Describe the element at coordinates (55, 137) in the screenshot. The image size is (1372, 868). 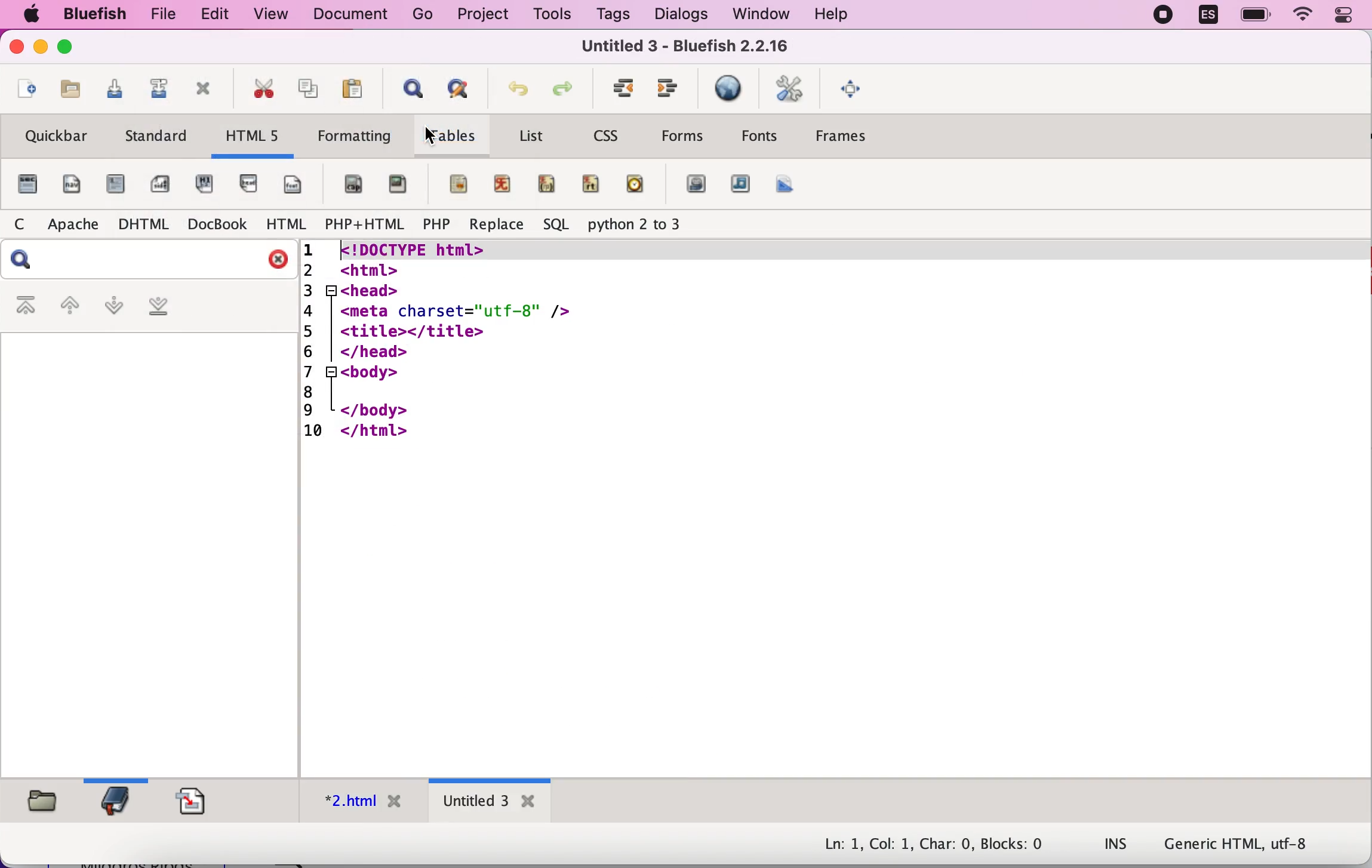
I see `quickbar` at that location.